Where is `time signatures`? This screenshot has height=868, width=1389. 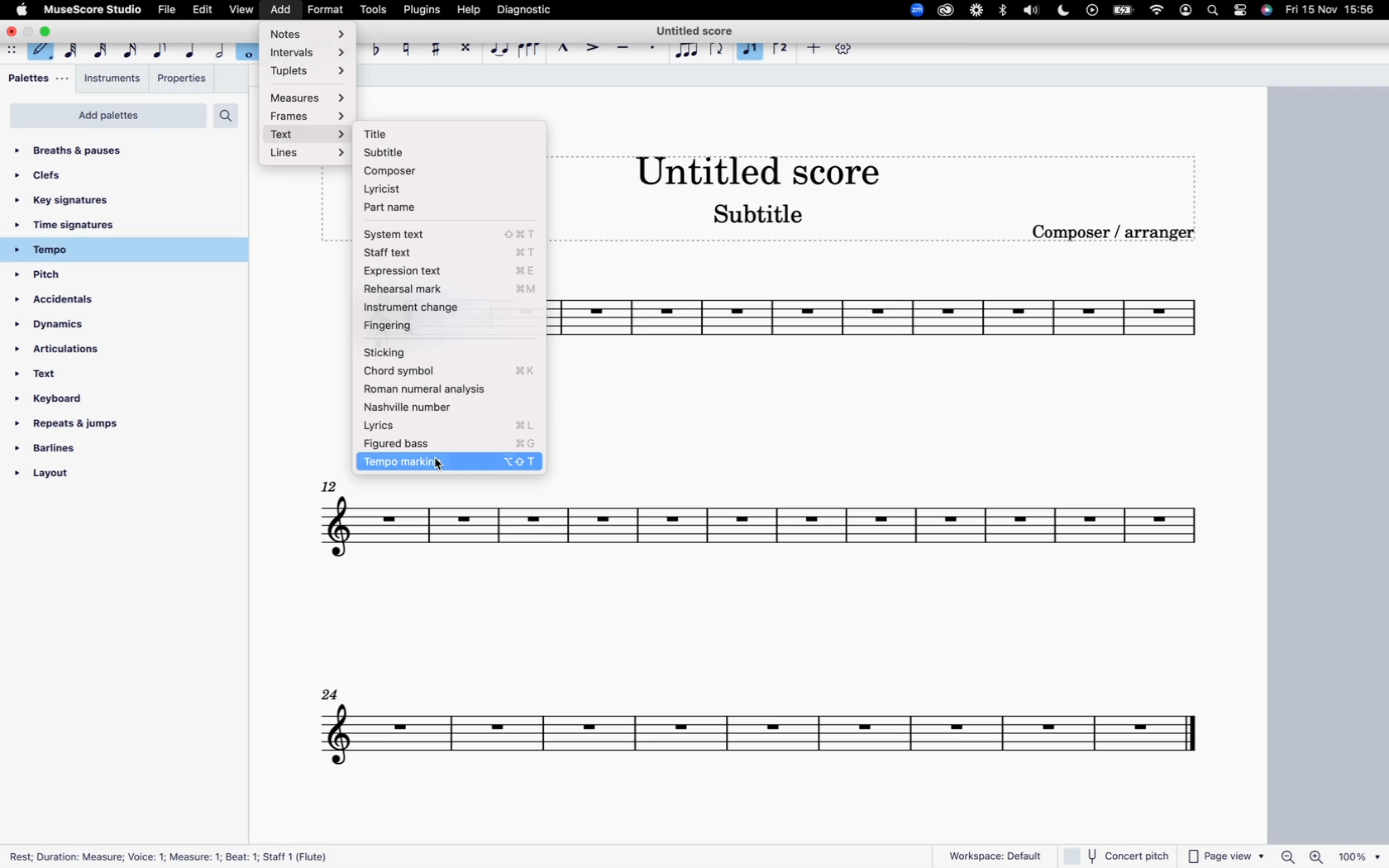 time signatures is located at coordinates (118, 225).